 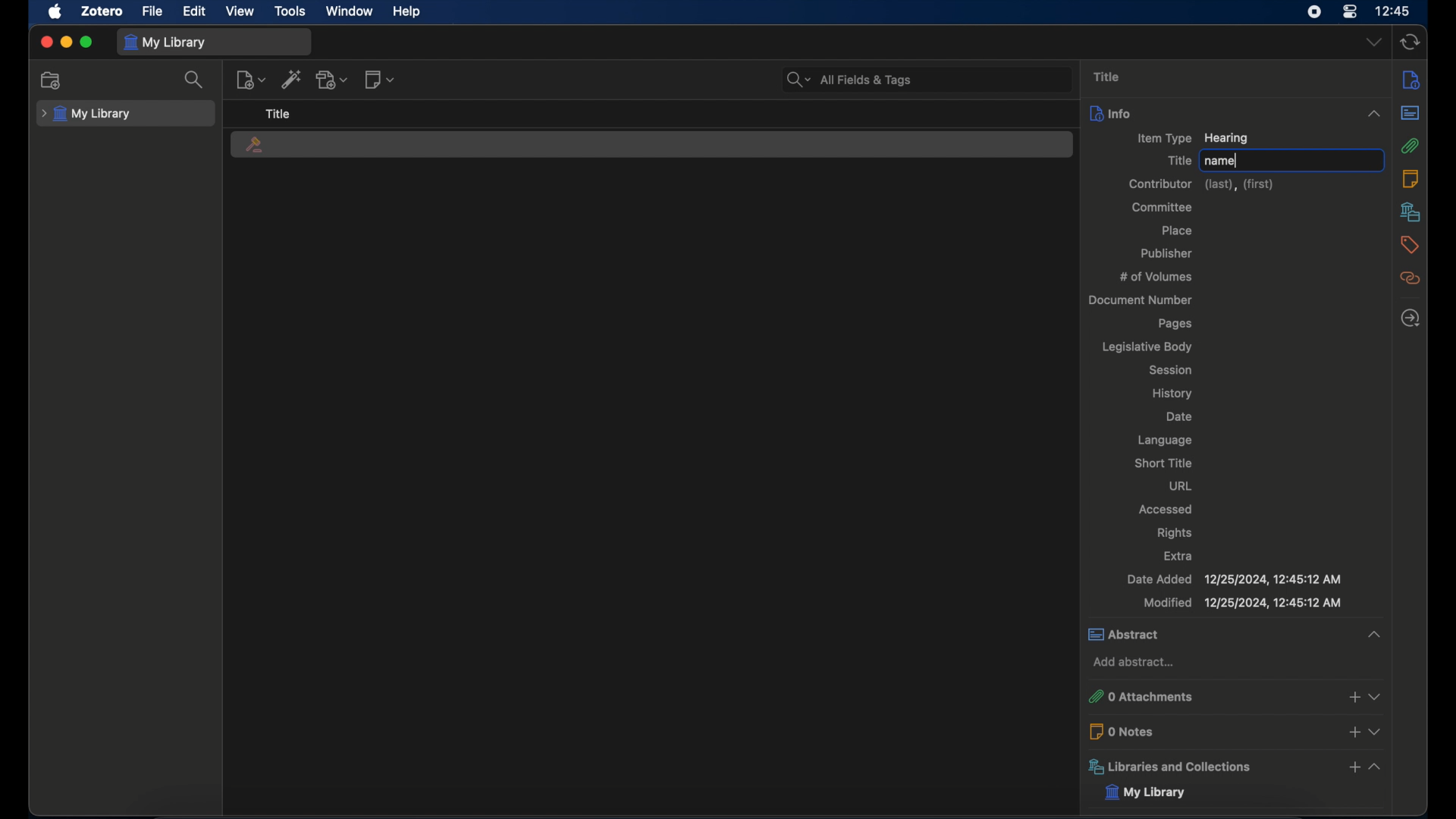 What do you see at coordinates (408, 12) in the screenshot?
I see `help` at bounding box center [408, 12].